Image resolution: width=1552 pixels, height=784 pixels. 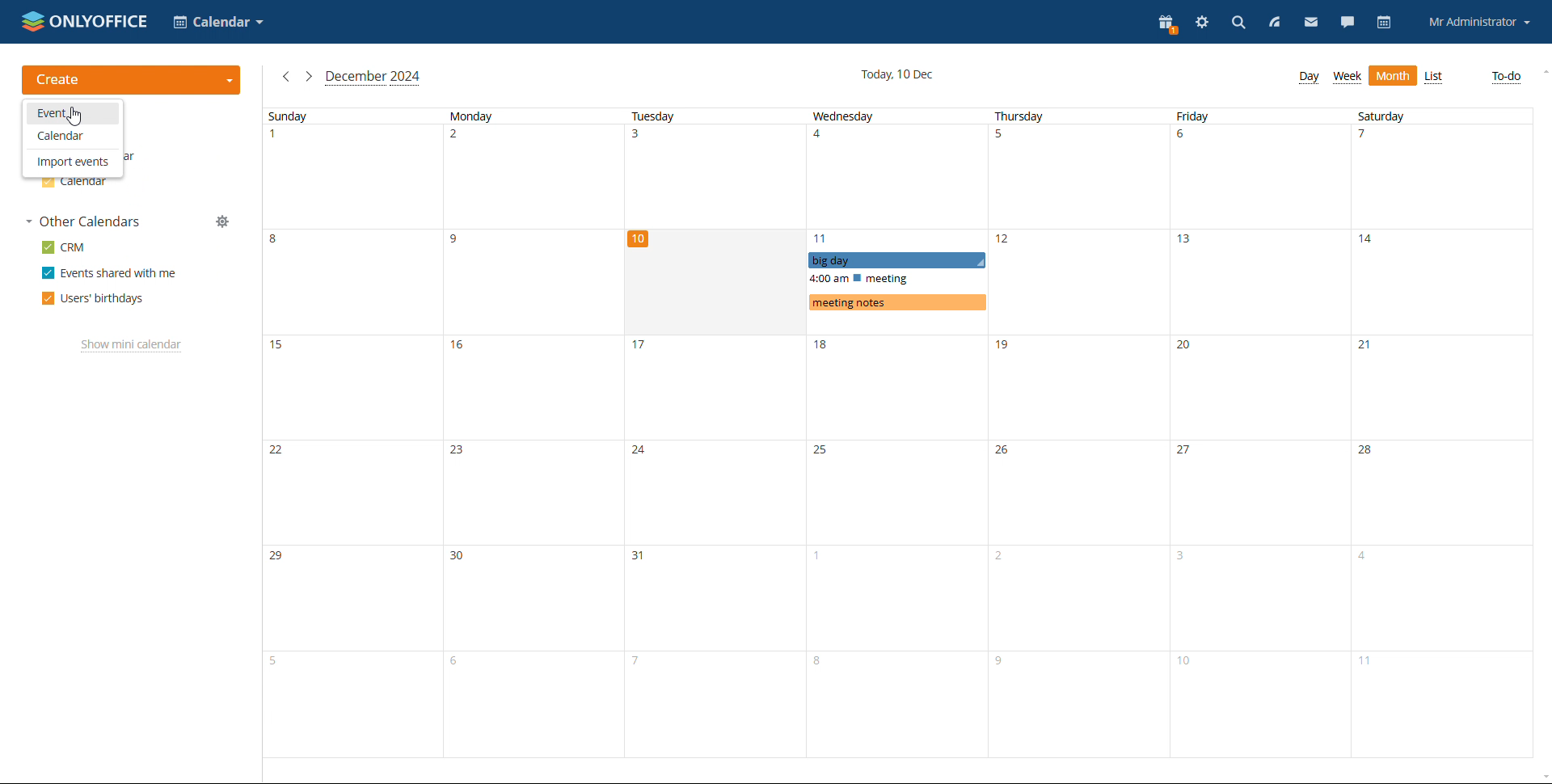 What do you see at coordinates (715, 432) in the screenshot?
I see `tuesday` at bounding box center [715, 432].